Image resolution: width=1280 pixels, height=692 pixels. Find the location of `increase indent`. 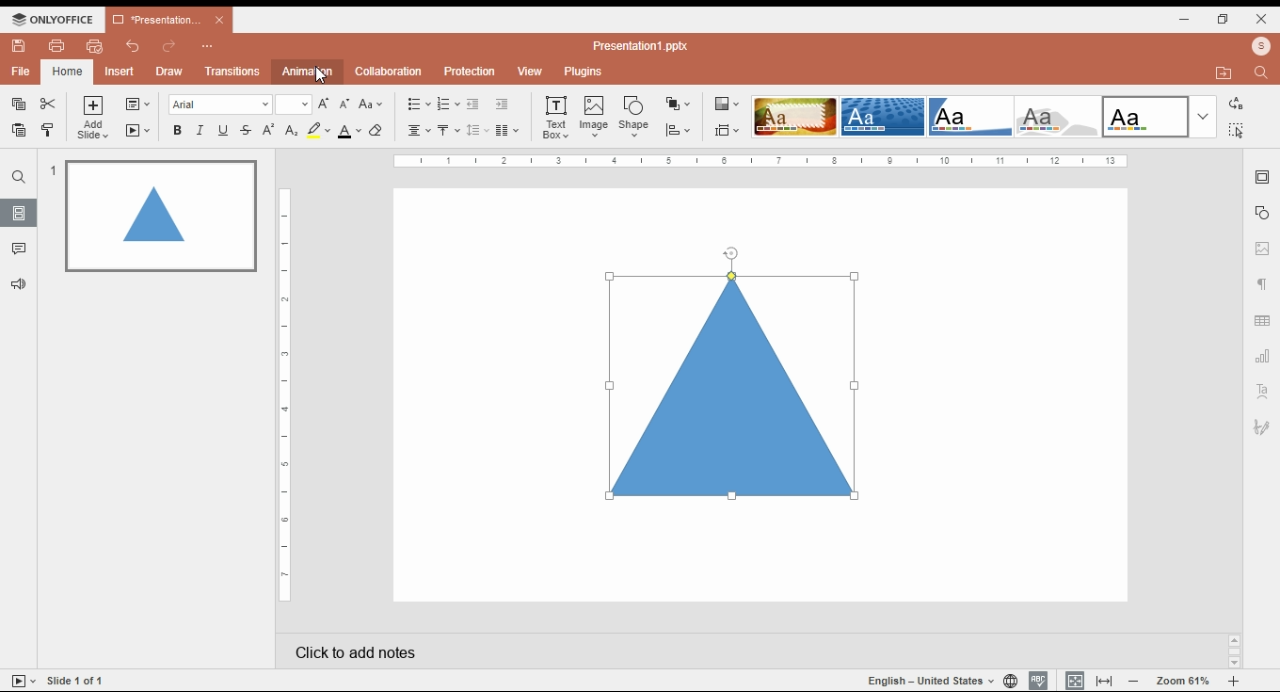

increase indent is located at coordinates (502, 103).